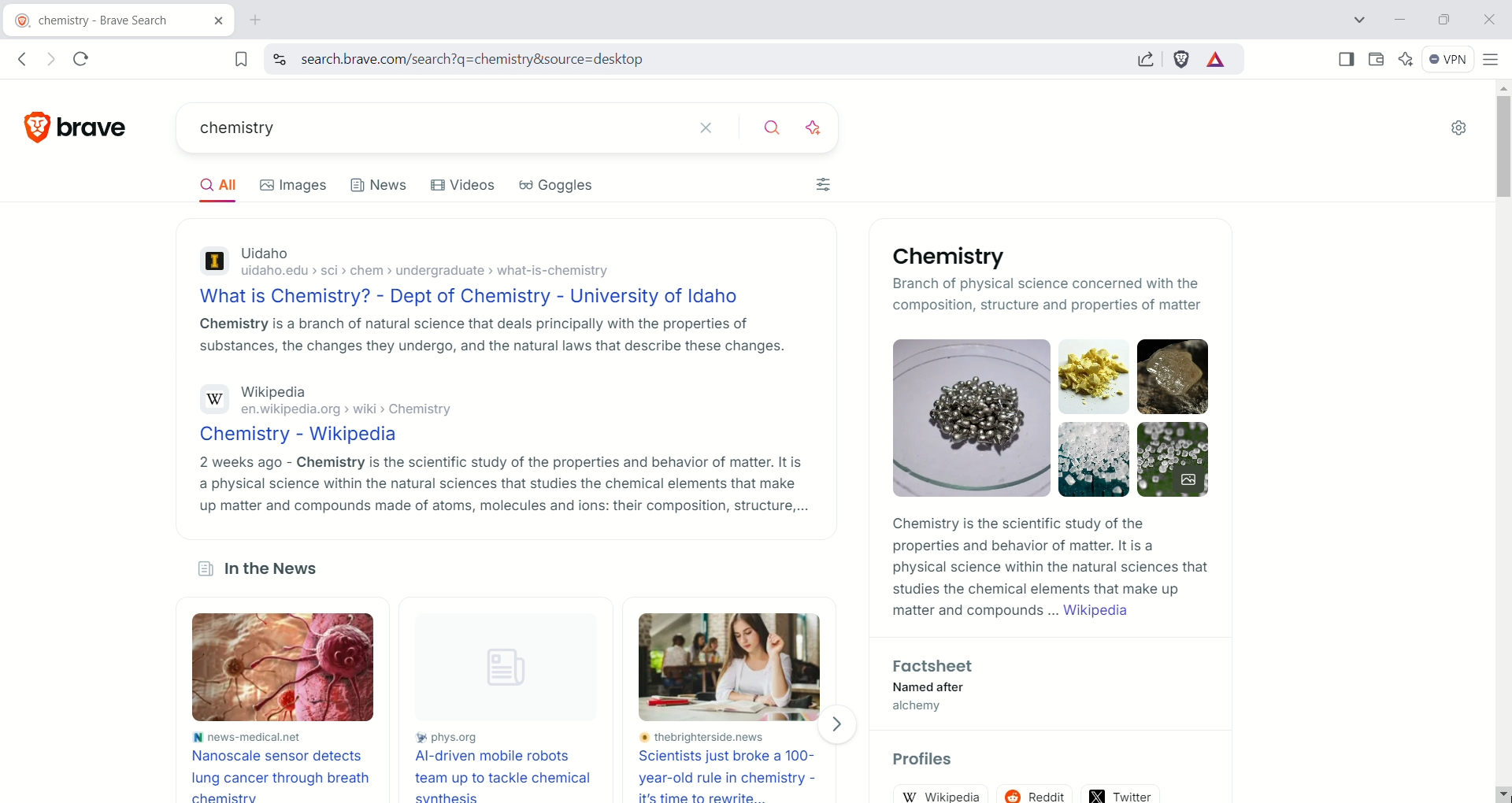 This screenshot has width=1512, height=803. Describe the element at coordinates (87, 56) in the screenshot. I see `reload` at that location.